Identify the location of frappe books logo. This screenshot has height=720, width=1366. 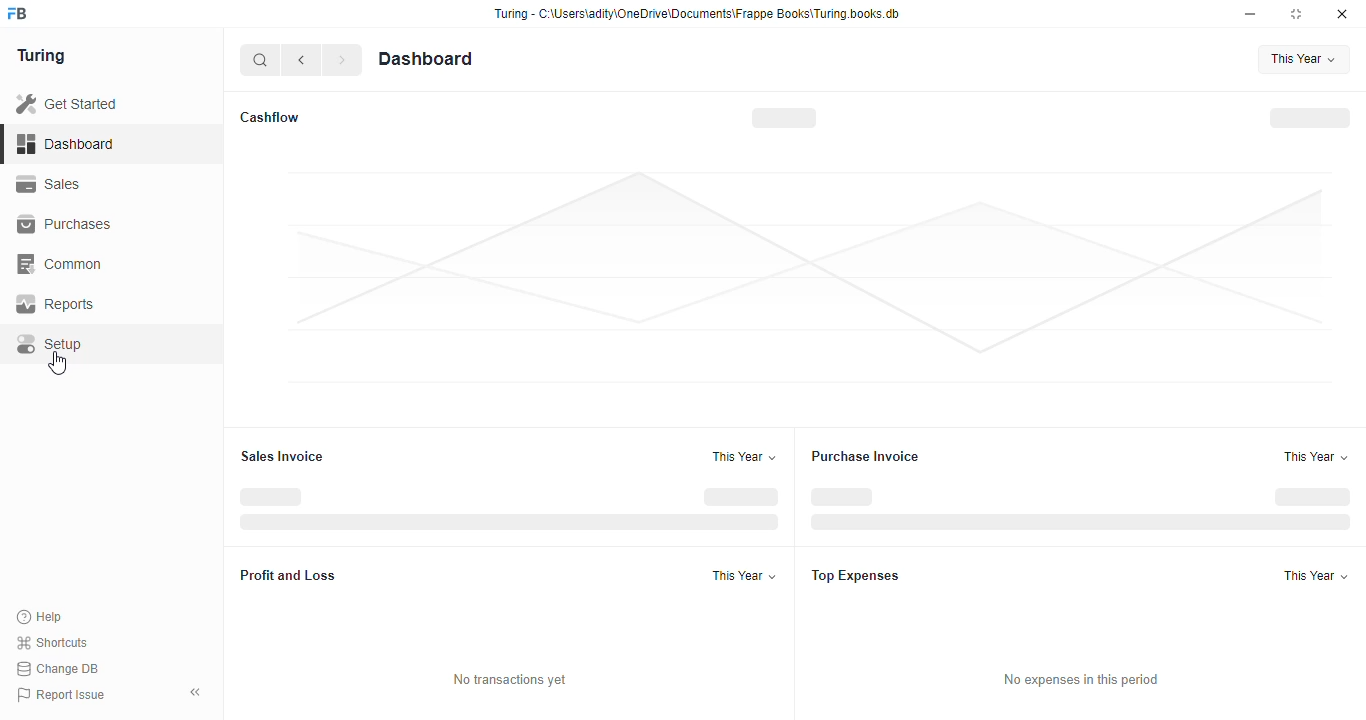
(25, 15).